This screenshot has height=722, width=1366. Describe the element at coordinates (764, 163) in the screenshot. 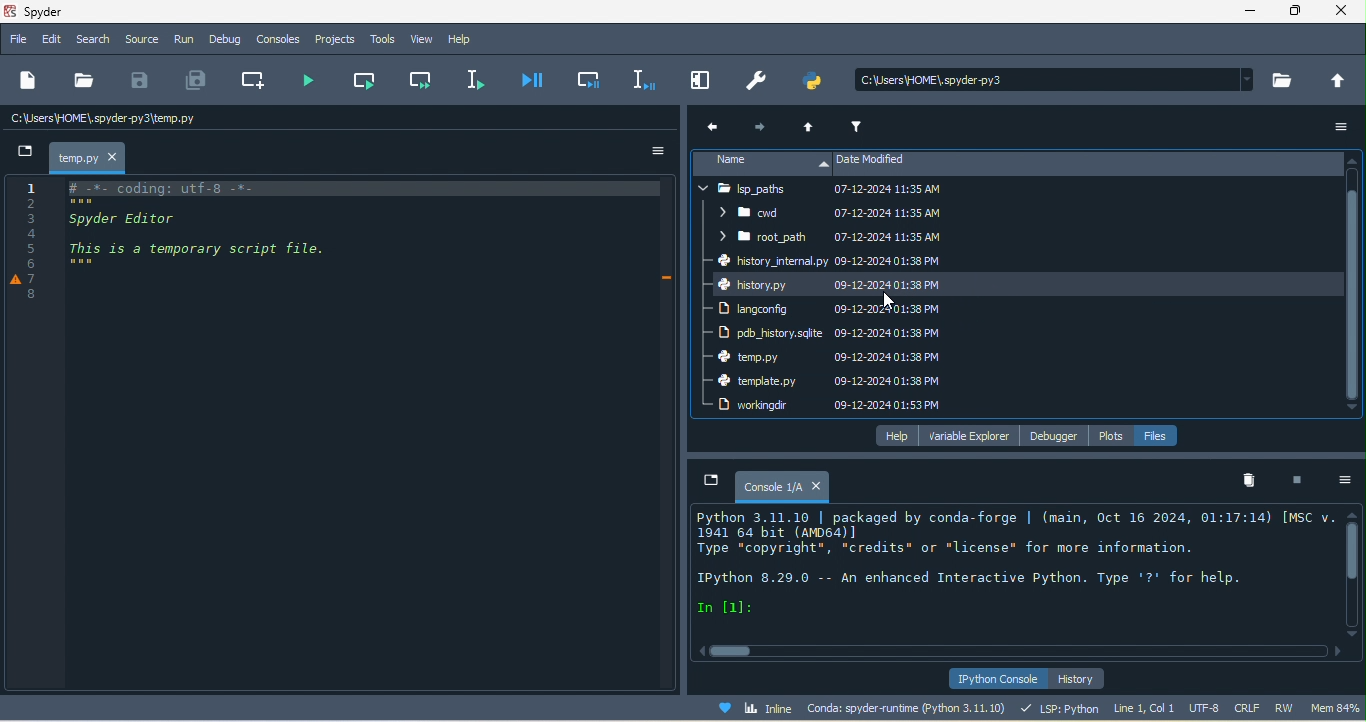

I see `name` at that location.